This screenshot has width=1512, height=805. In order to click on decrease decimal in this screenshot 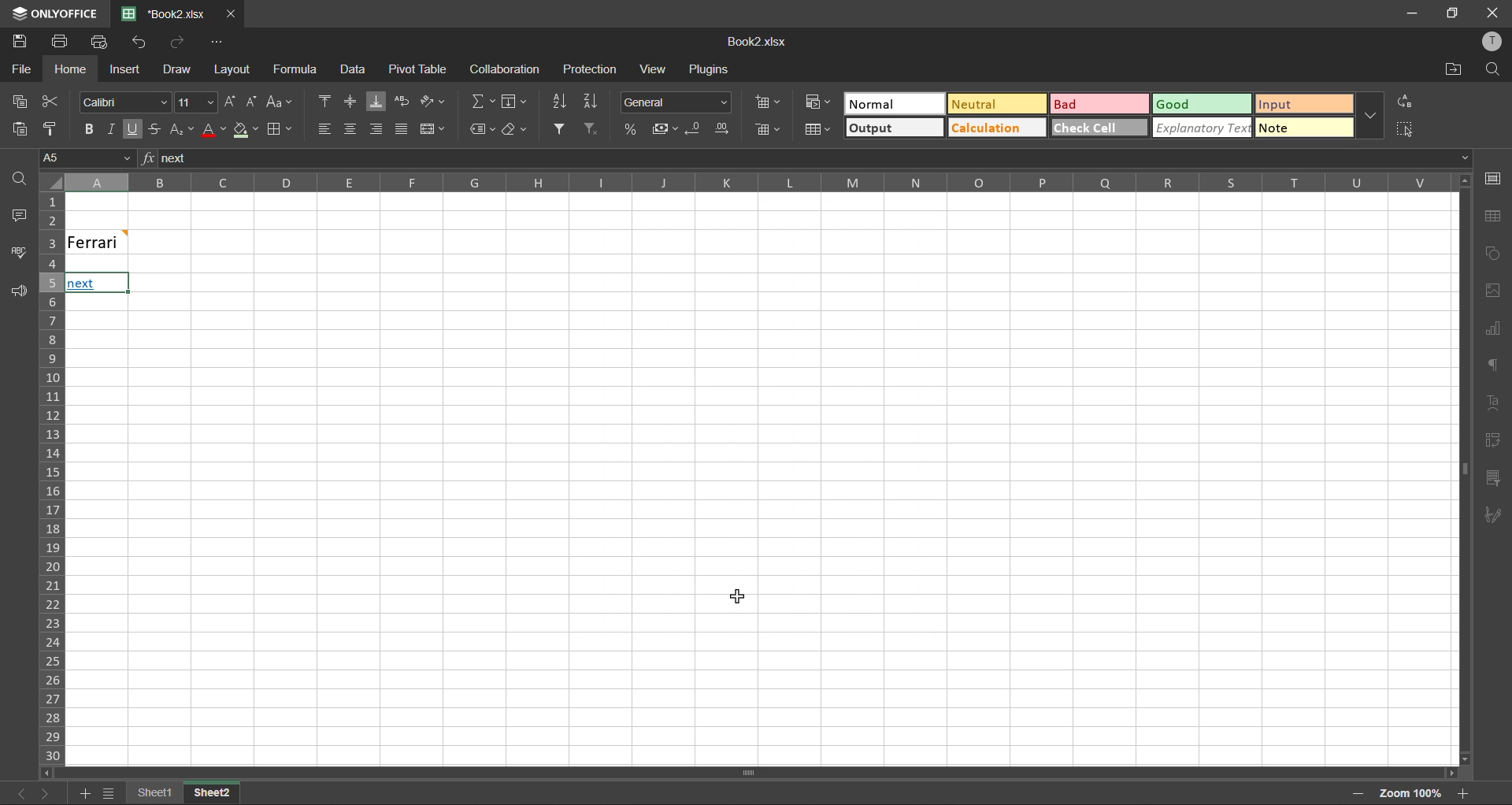, I will do `click(694, 129)`.